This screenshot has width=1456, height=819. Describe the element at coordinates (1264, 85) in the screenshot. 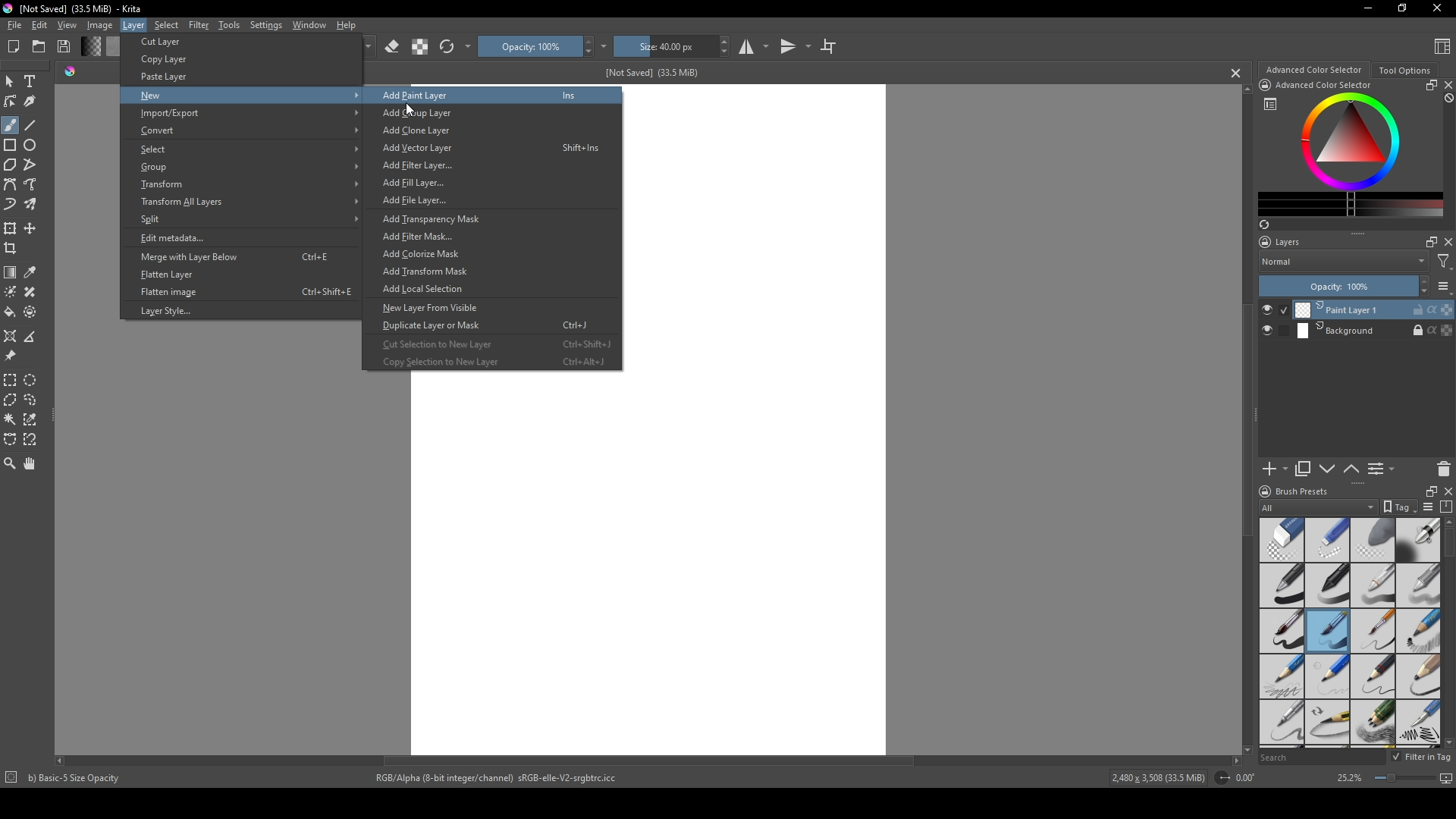

I see `icon` at that location.